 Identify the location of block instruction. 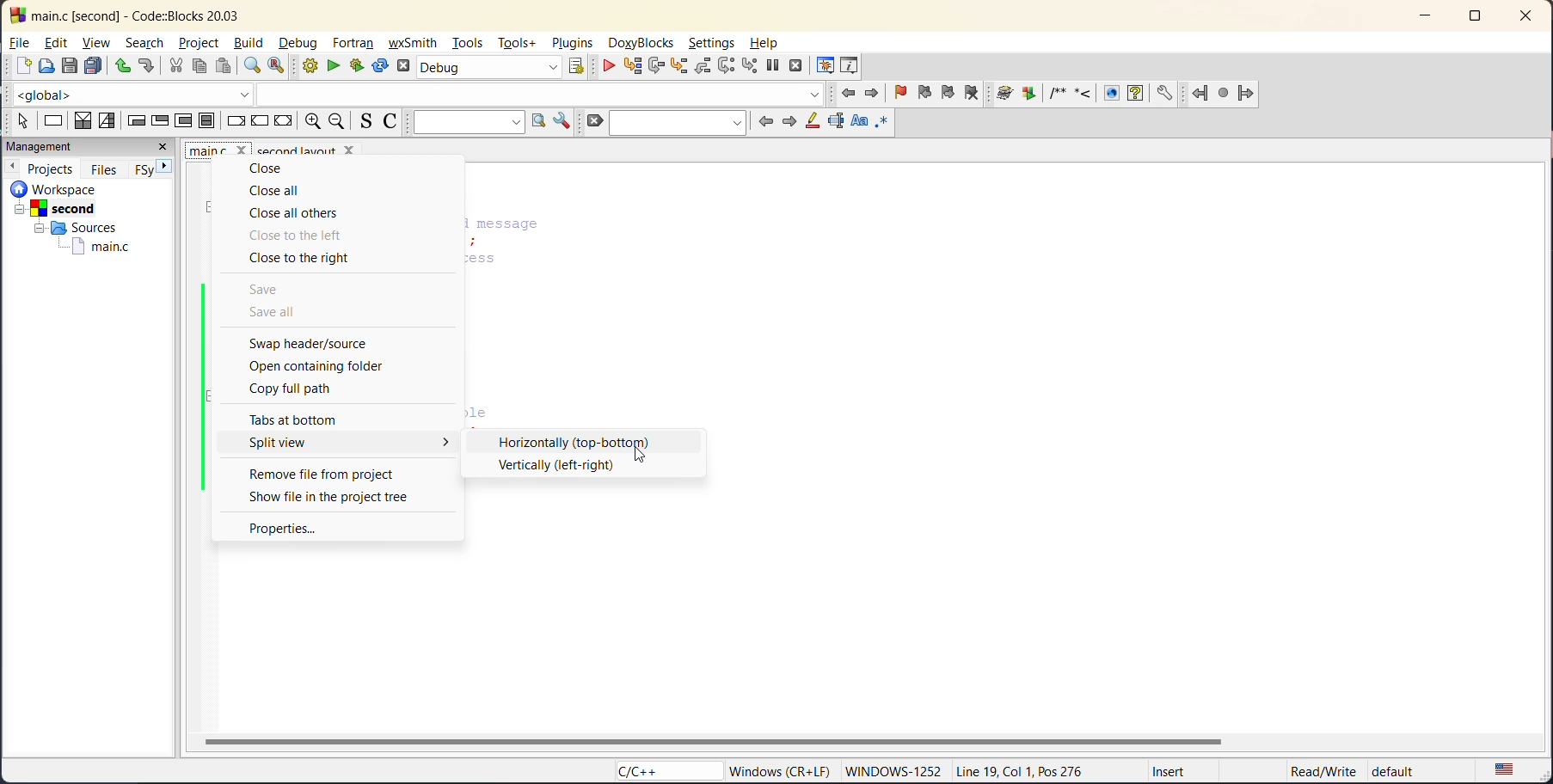
(205, 121).